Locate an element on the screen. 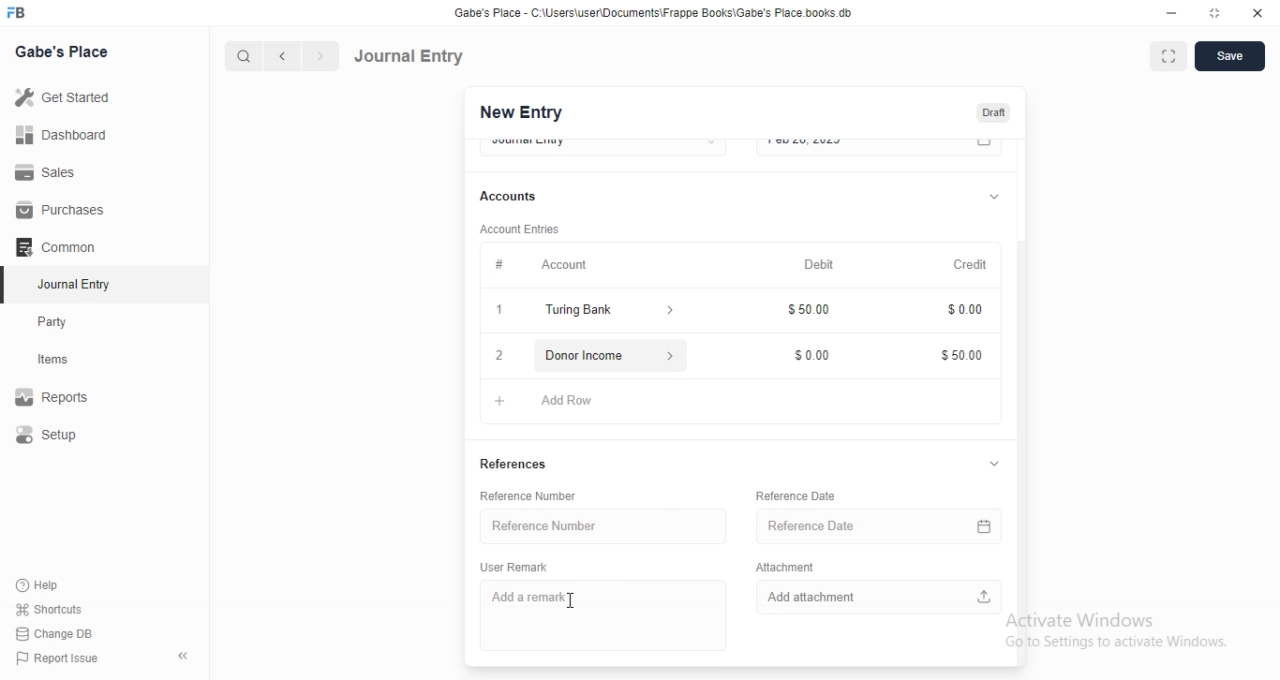 Image resolution: width=1280 pixels, height=680 pixels. next is located at coordinates (318, 57).